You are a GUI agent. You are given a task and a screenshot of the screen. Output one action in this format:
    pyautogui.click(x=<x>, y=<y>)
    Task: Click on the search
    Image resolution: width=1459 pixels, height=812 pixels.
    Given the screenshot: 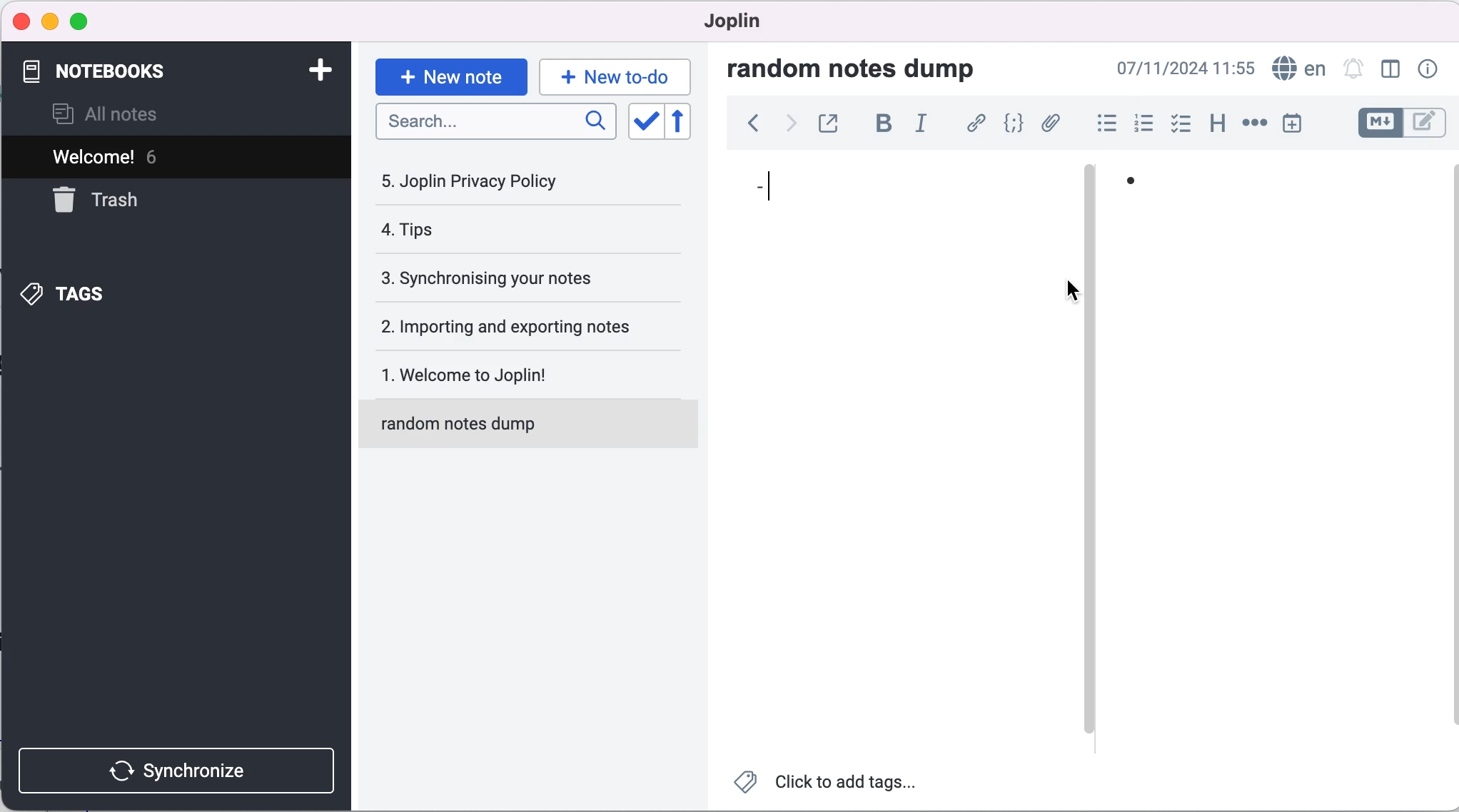 What is the action you would take?
    pyautogui.click(x=497, y=126)
    